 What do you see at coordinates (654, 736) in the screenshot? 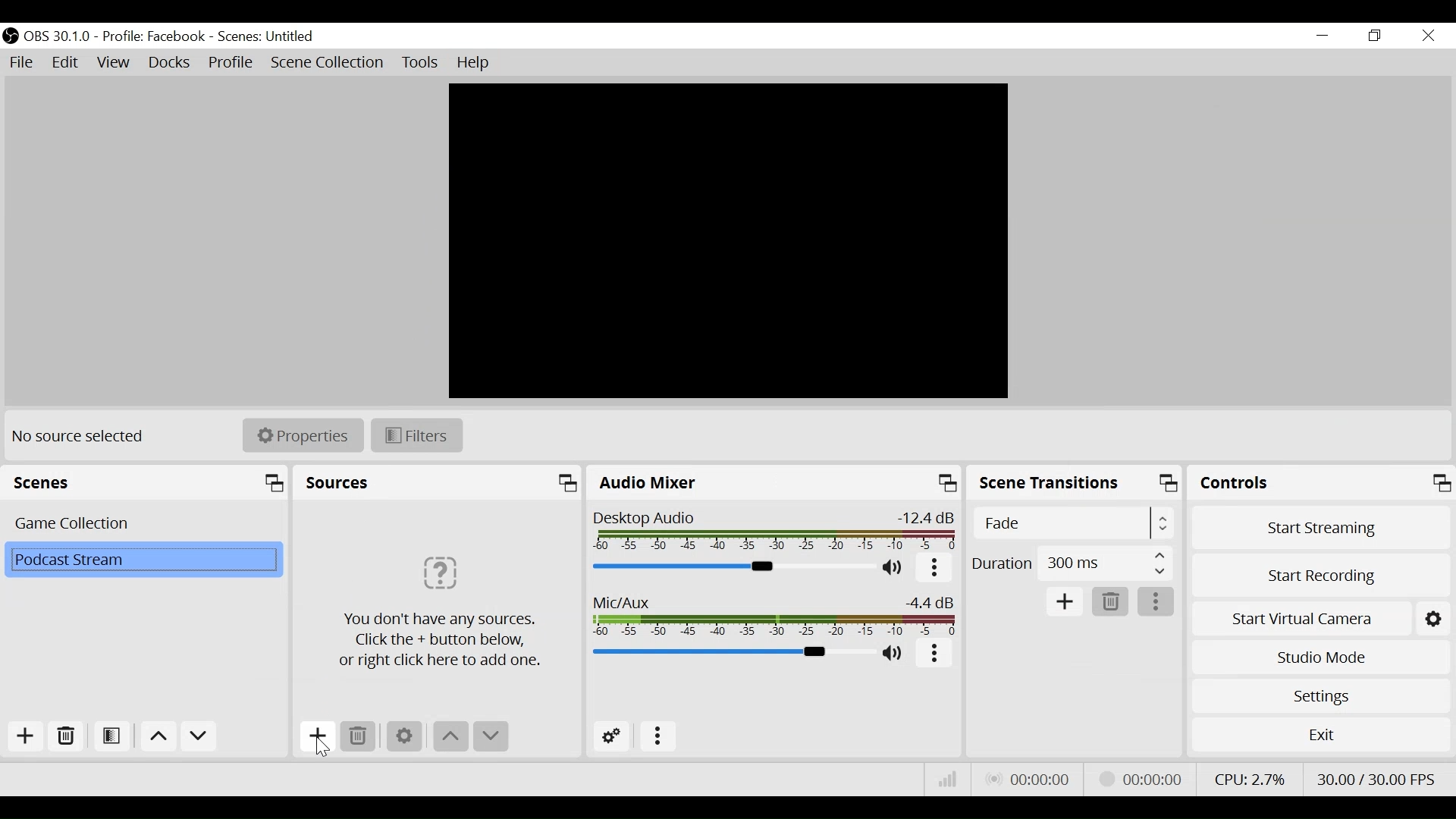
I see `More Options` at bounding box center [654, 736].